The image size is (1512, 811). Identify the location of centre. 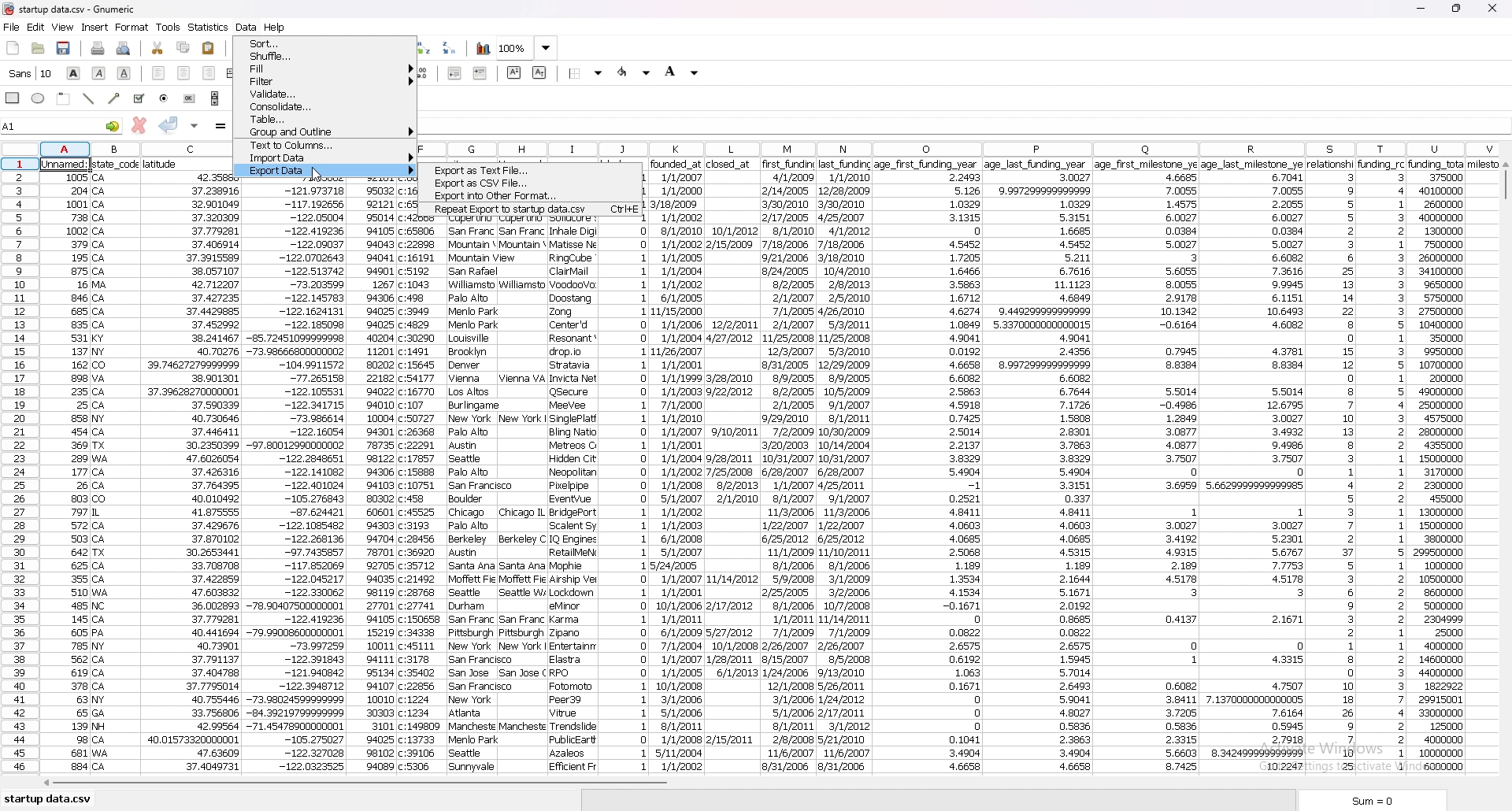
(183, 72).